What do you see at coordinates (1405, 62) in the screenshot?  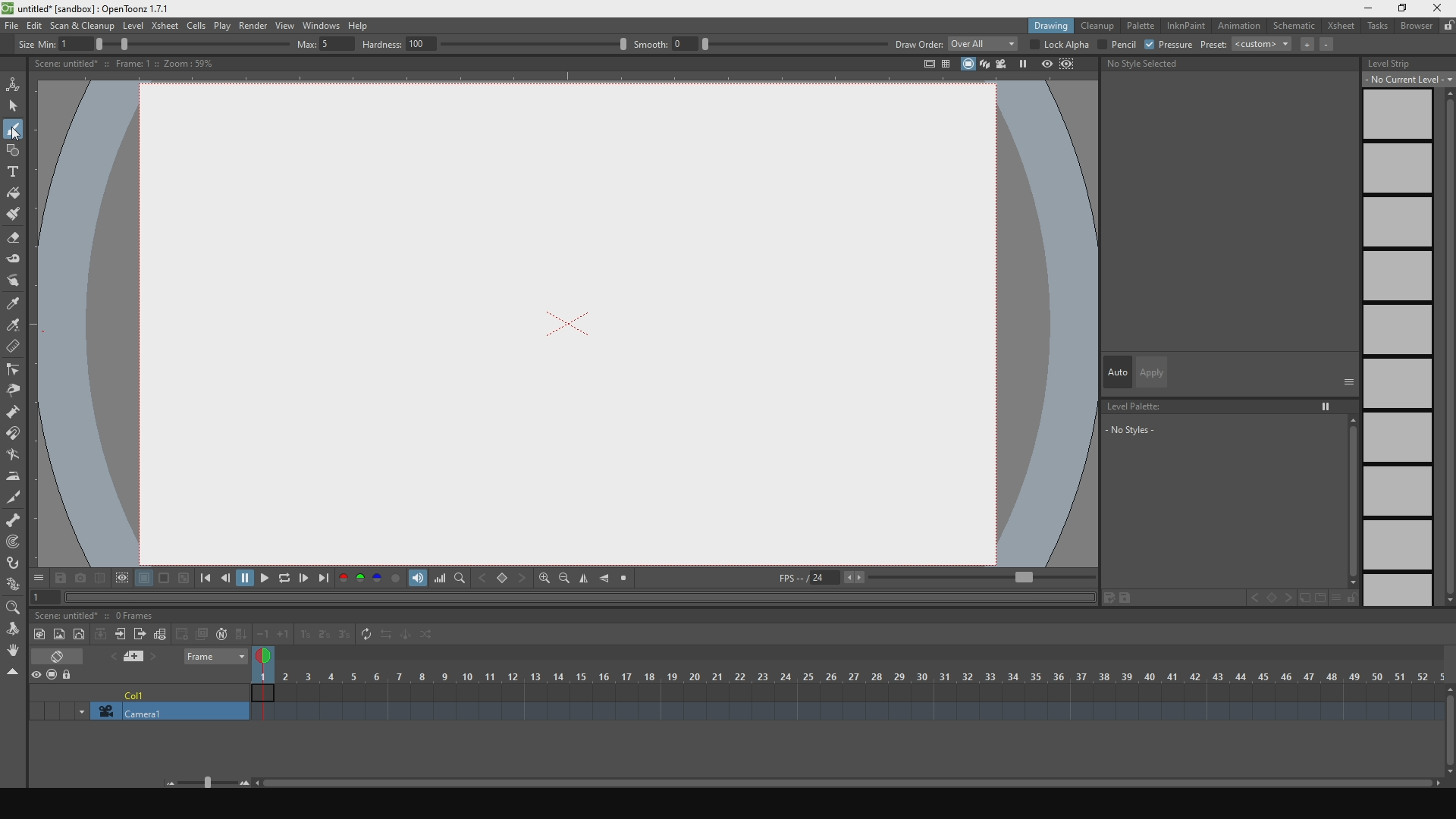 I see `level strip` at bounding box center [1405, 62].